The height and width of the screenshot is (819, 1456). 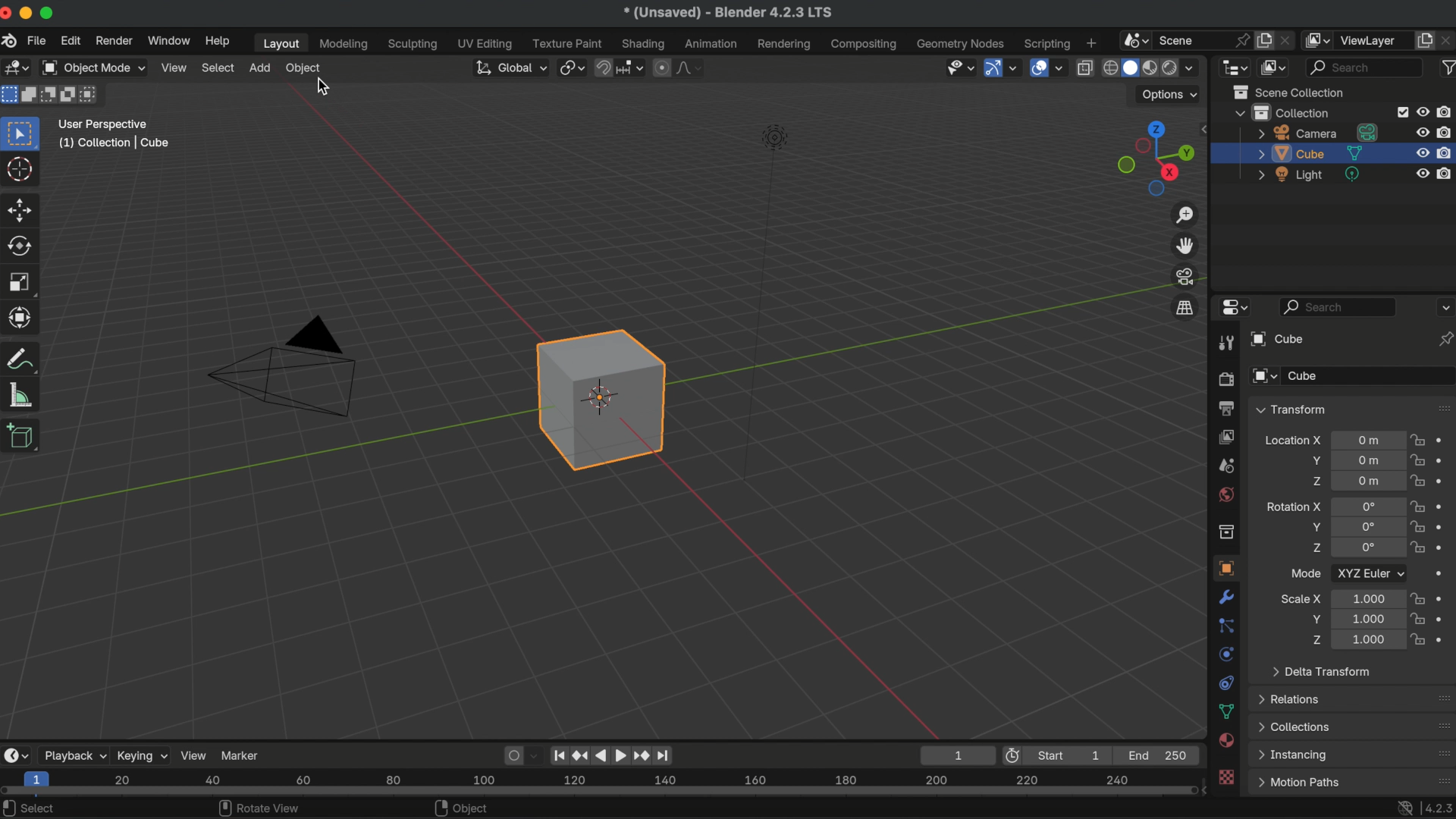 I want to click on viewport shading material preview mode, so click(x=1148, y=69).